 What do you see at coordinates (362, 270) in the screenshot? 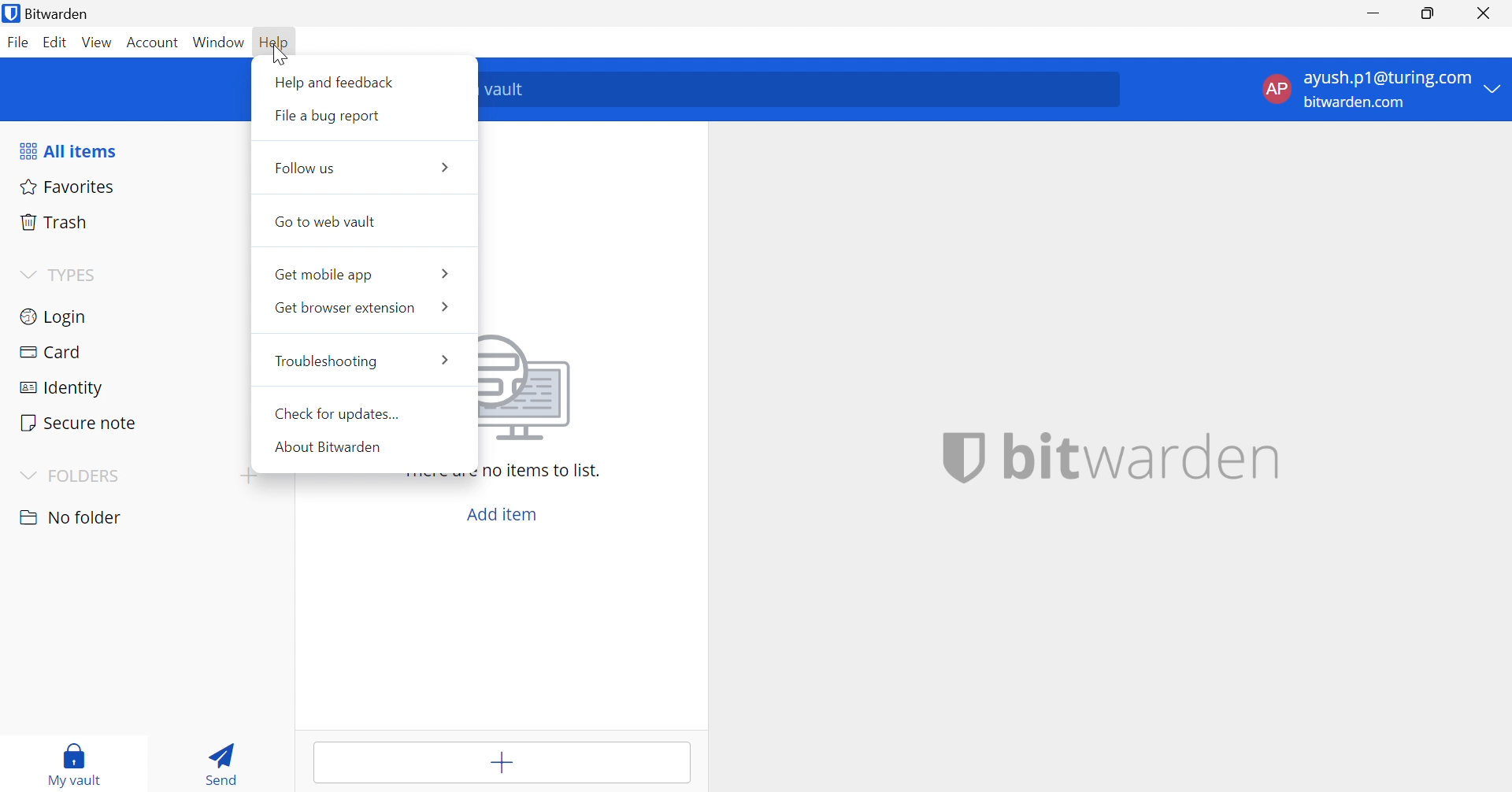
I see `Get mobile app` at bounding box center [362, 270].